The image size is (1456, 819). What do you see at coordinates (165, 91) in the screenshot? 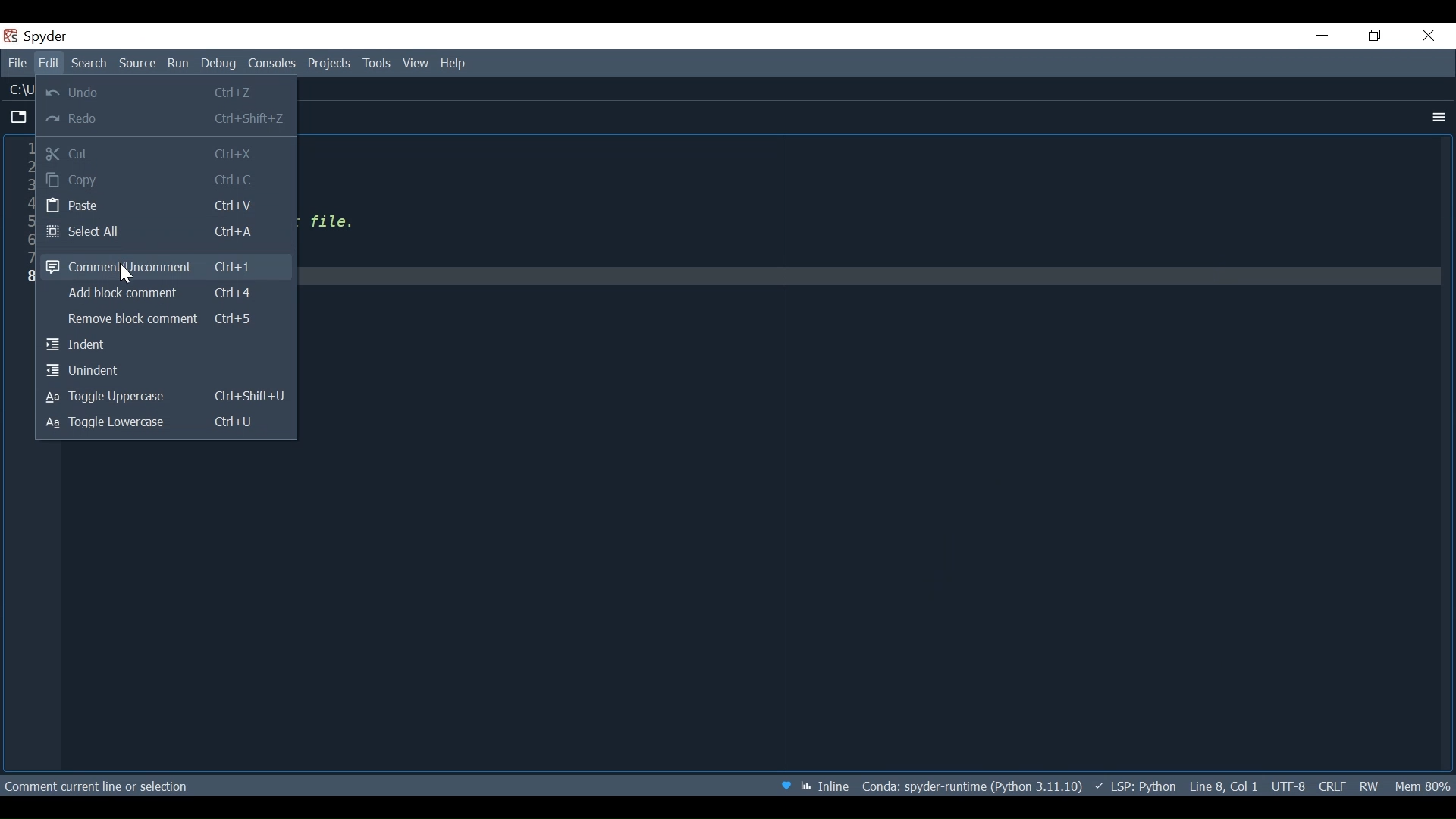
I see `Undo` at bounding box center [165, 91].